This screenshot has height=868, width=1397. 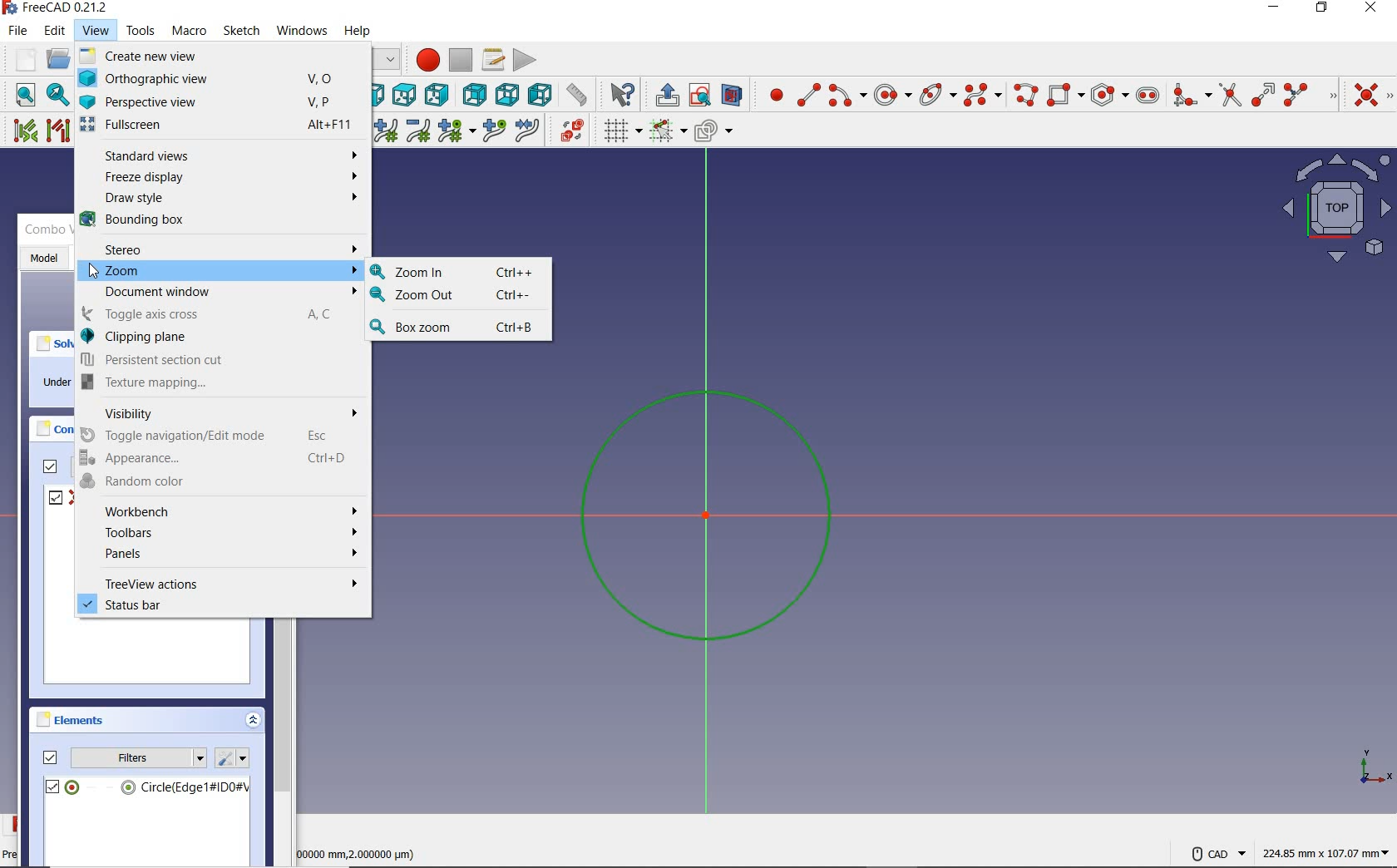 I want to click on create new view, so click(x=169, y=54).